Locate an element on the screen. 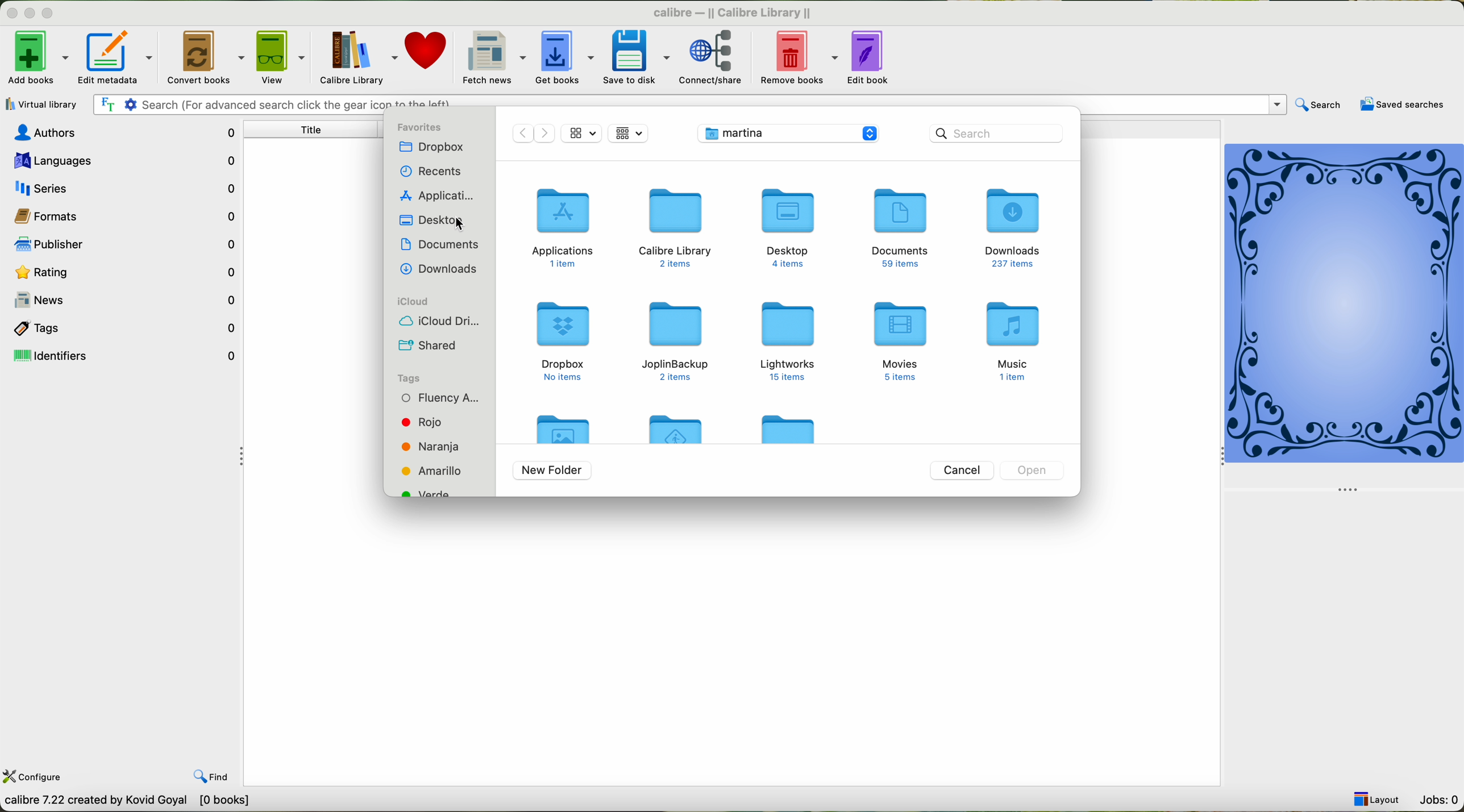 Image resolution: width=1464 pixels, height=812 pixels. calibre library is located at coordinates (356, 57).